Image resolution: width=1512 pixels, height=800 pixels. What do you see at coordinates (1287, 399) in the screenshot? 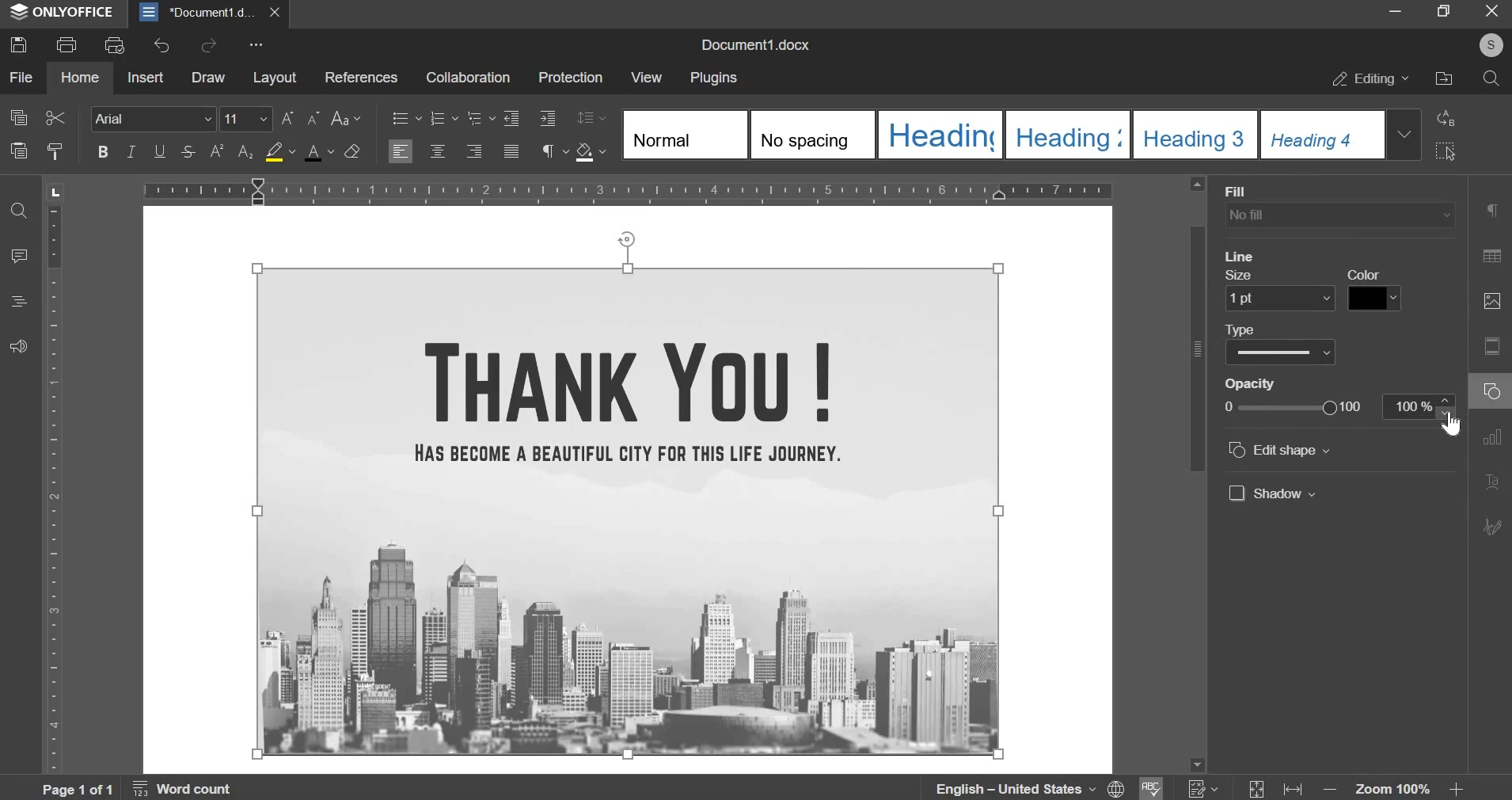
I see `Opacity` at bounding box center [1287, 399].